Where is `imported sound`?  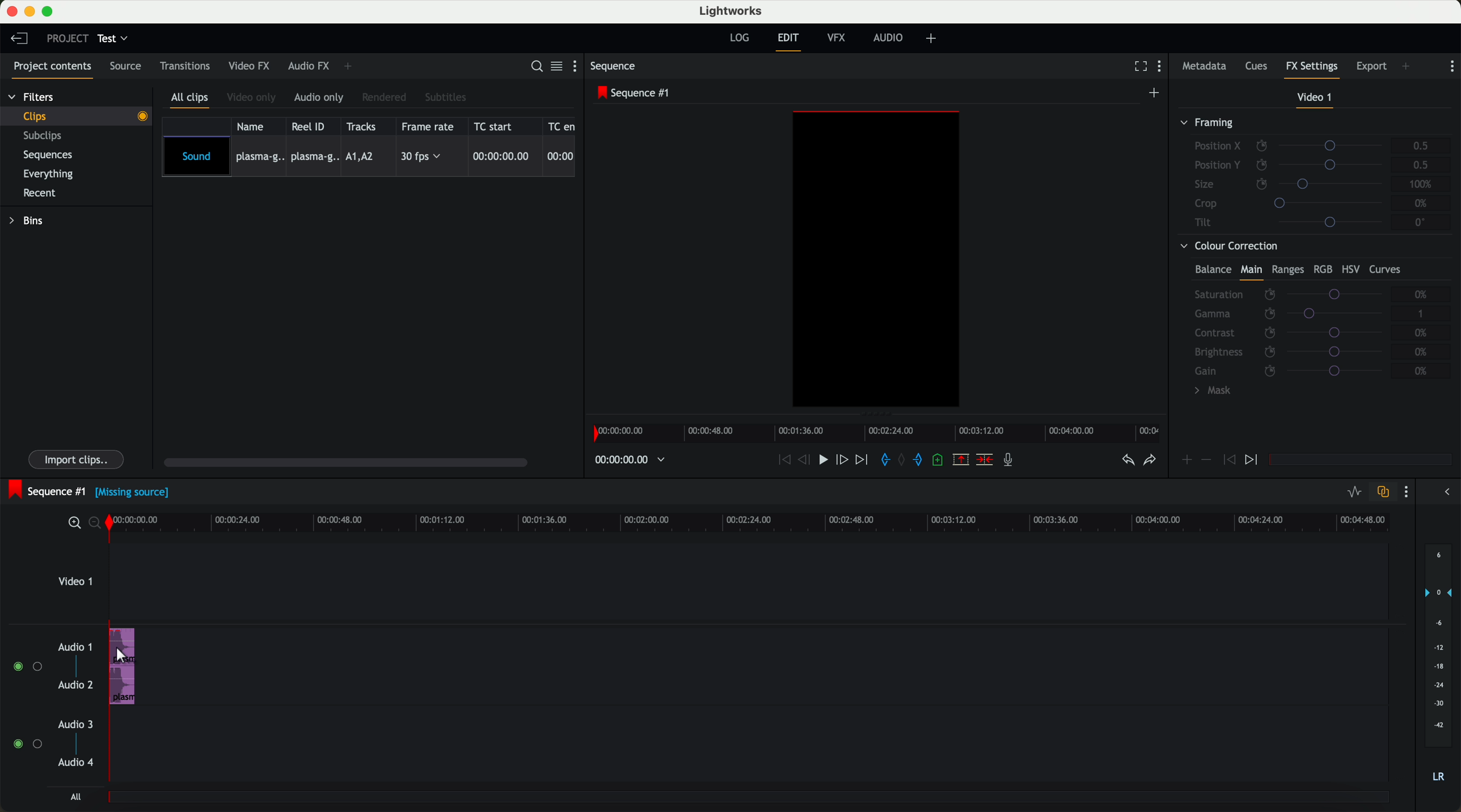 imported sound is located at coordinates (369, 157).